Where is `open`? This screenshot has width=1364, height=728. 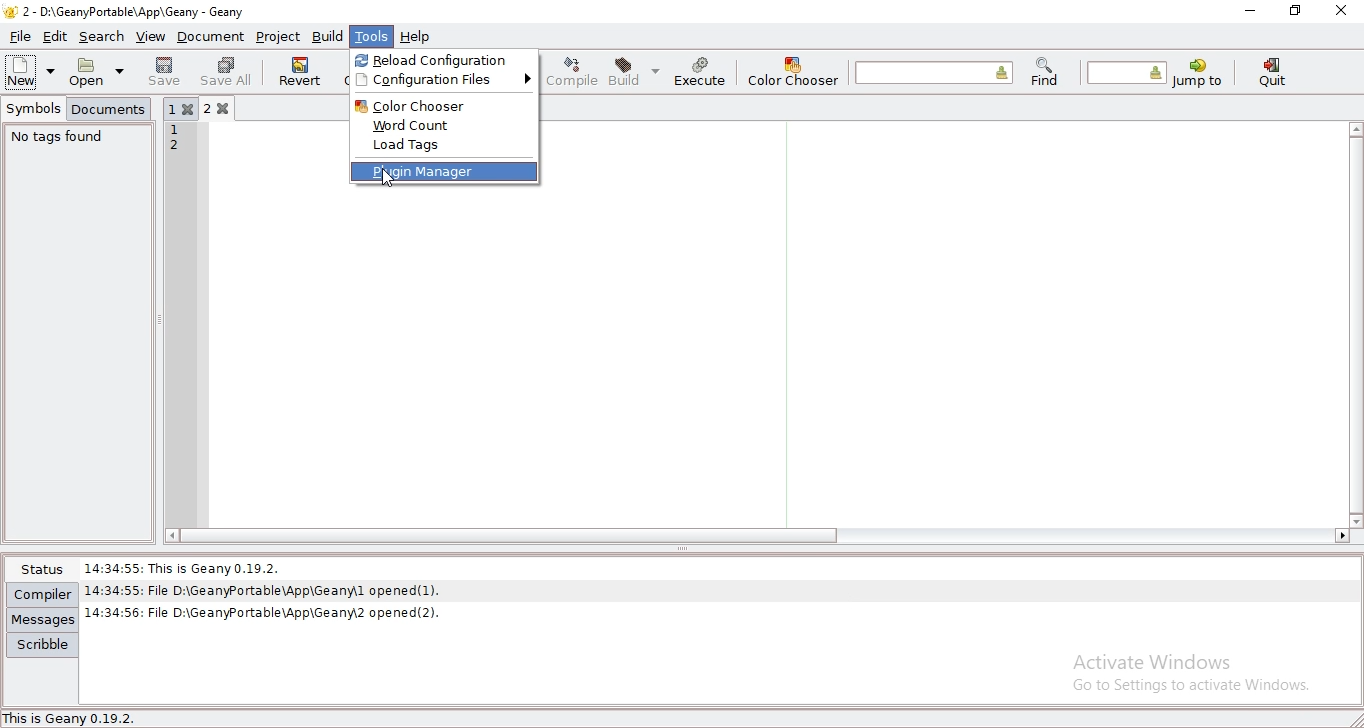
open is located at coordinates (91, 72).